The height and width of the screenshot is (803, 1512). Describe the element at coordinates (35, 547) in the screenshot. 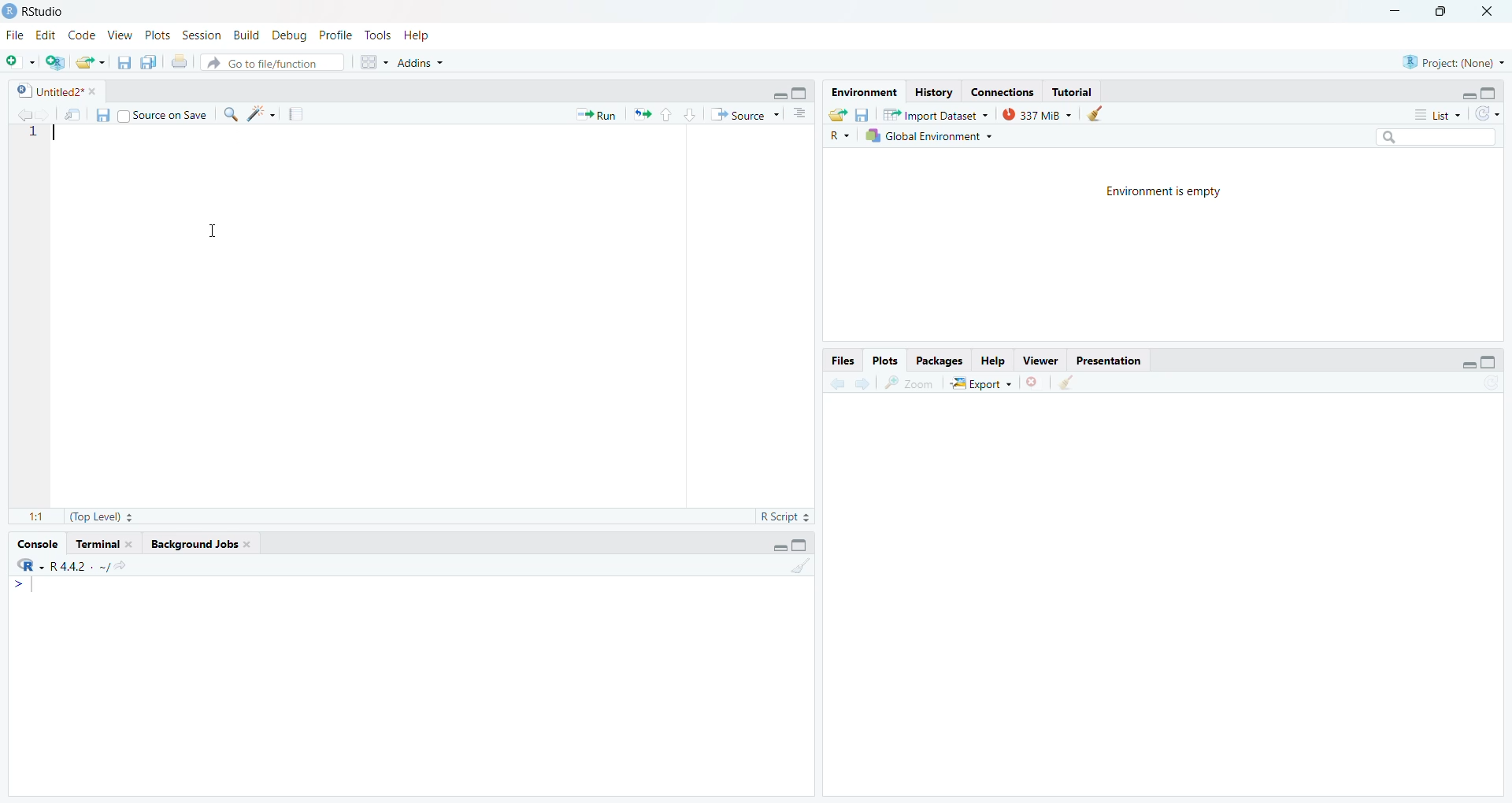

I see `Console` at that location.